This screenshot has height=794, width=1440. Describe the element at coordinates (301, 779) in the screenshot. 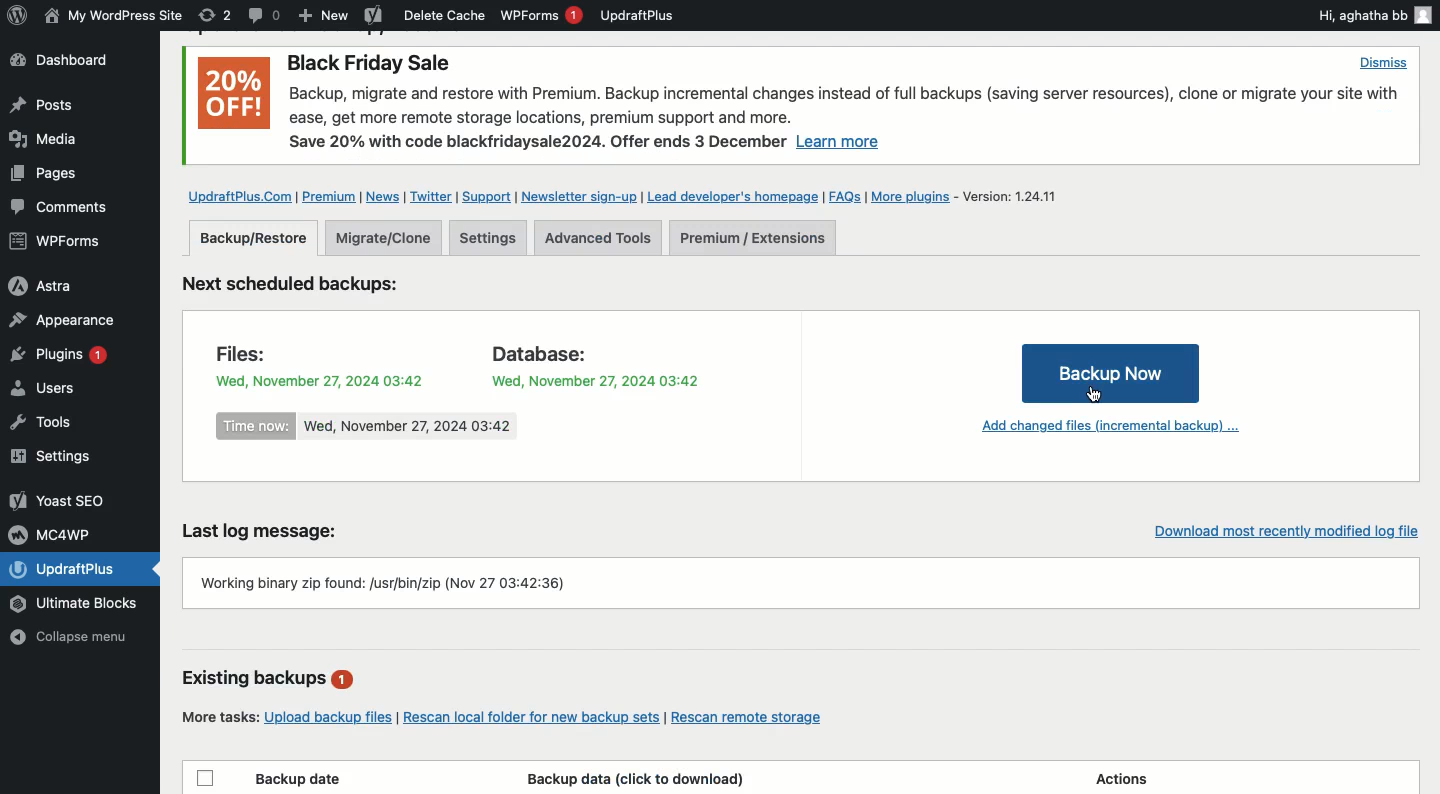

I see `Backup date` at that location.